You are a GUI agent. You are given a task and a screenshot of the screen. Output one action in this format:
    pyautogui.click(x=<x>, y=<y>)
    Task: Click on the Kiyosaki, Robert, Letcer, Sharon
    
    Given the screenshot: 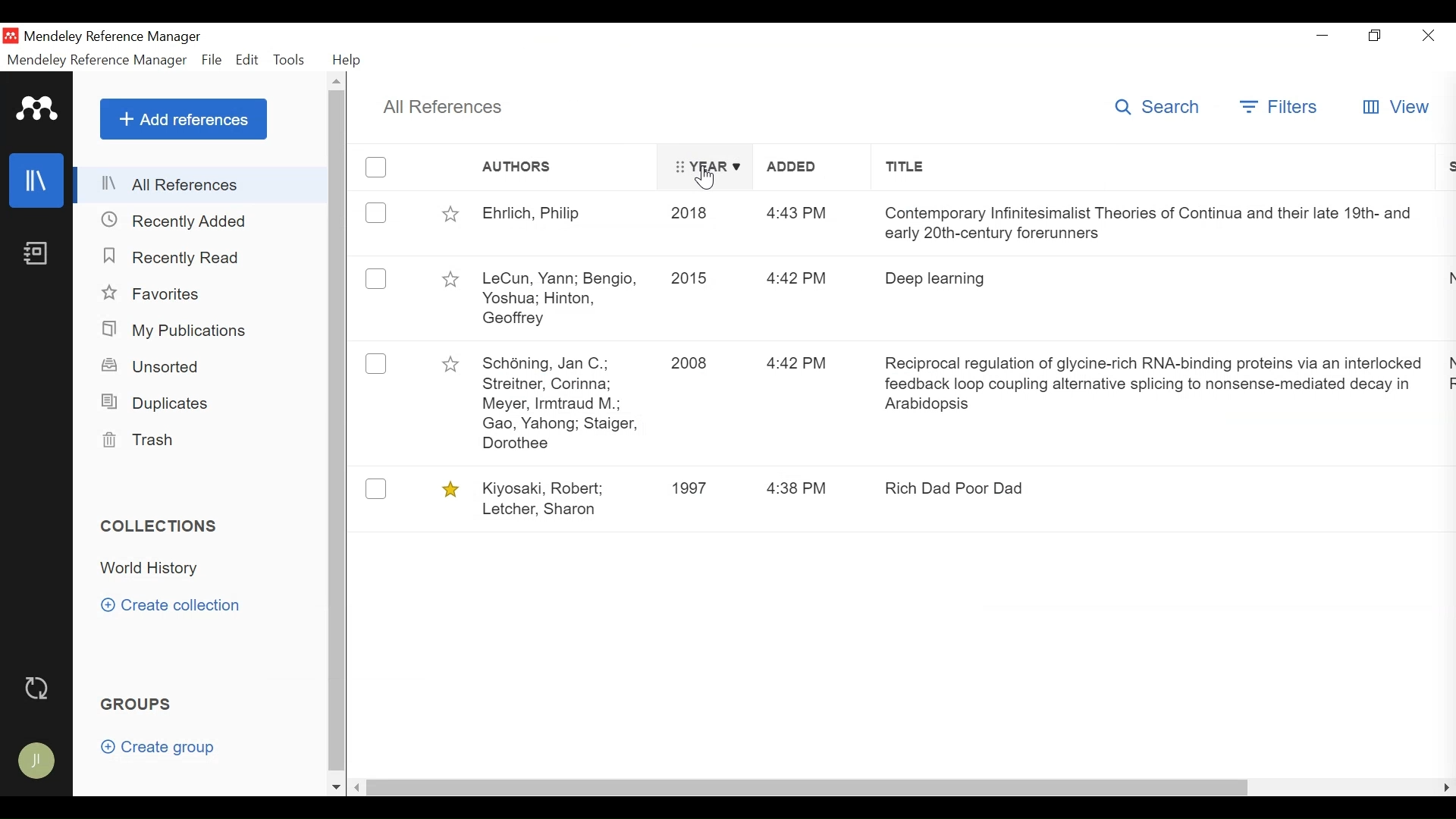 What is the action you would take?
    pyautogui.click(x=560, y=497)
    